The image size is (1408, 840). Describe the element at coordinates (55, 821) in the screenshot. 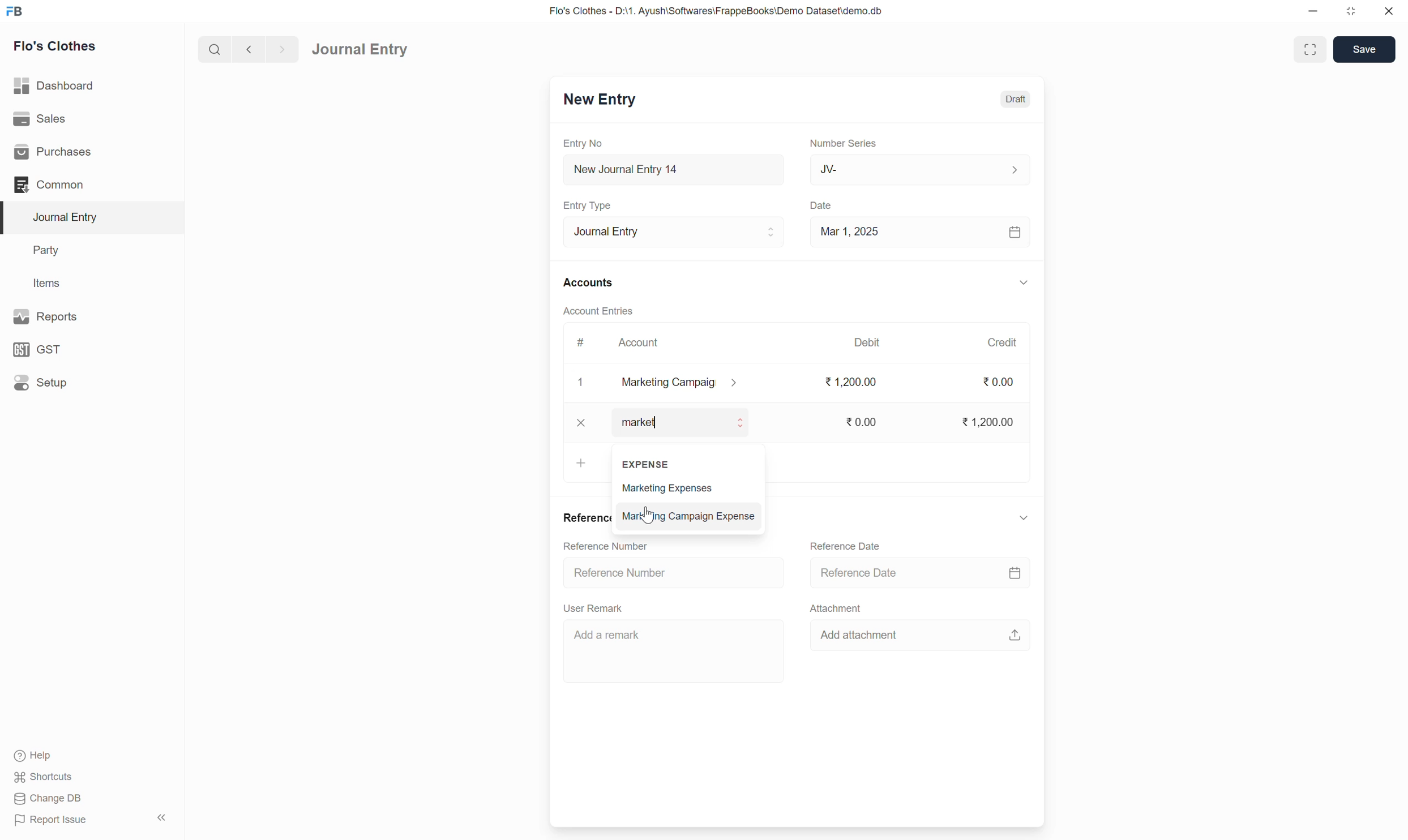

I see `Report Issue` at that location.